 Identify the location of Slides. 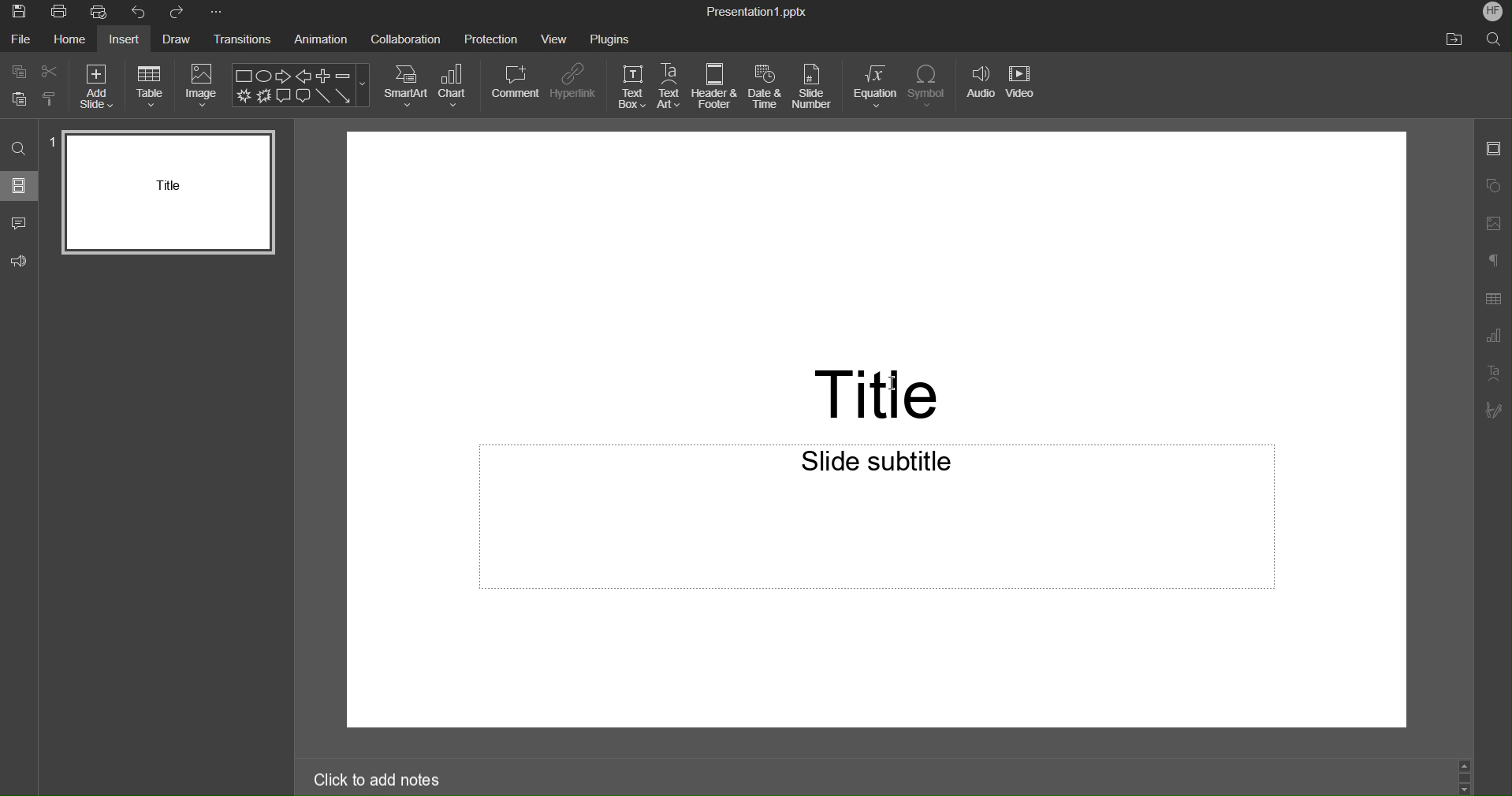
(19, 184).